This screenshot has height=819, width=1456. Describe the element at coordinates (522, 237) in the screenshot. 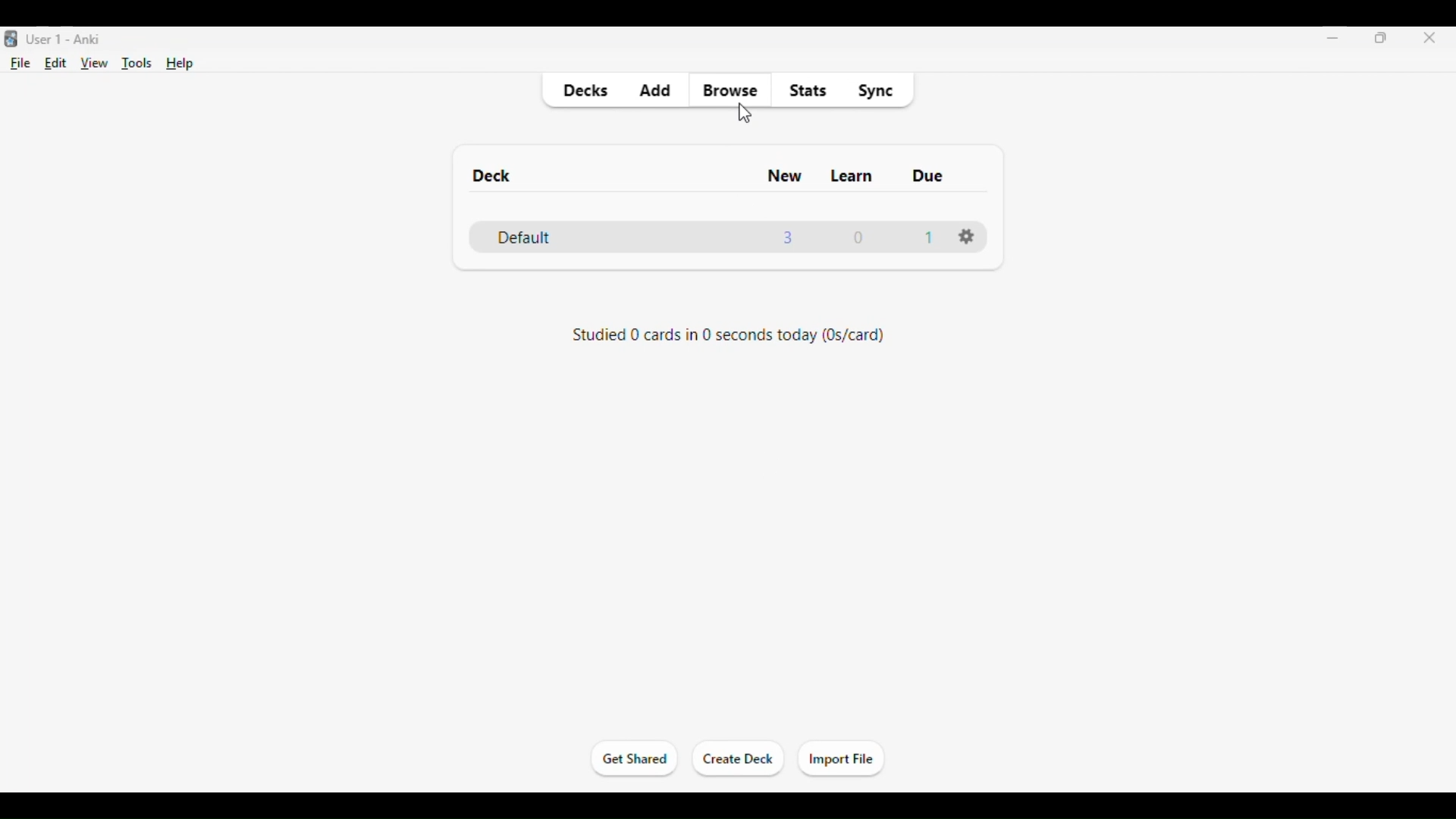

I see `default` at that location.